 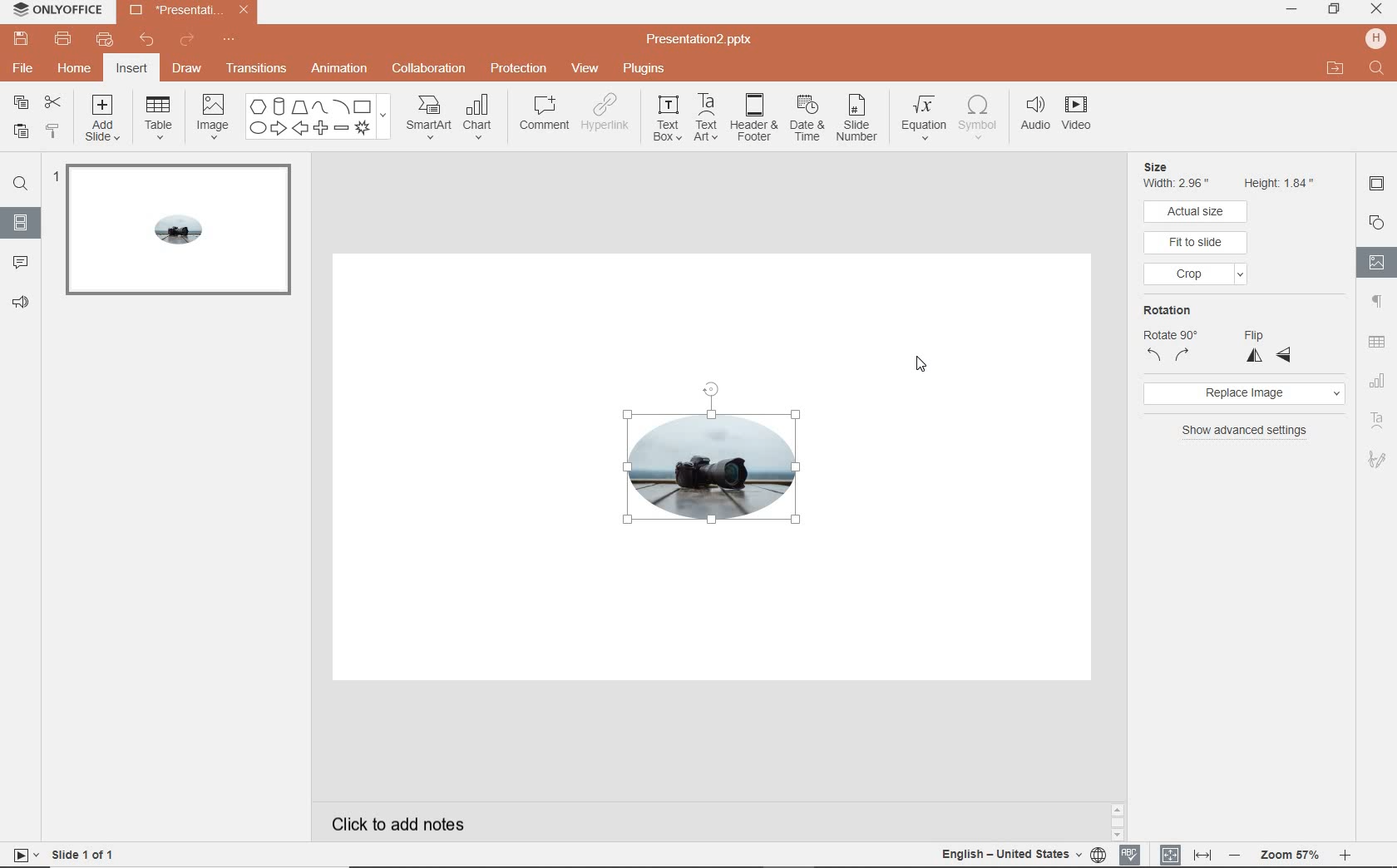 What do you see at coordinates (20, 223) in the screenshot?
I see `slides` at bounding box center [20, 223].